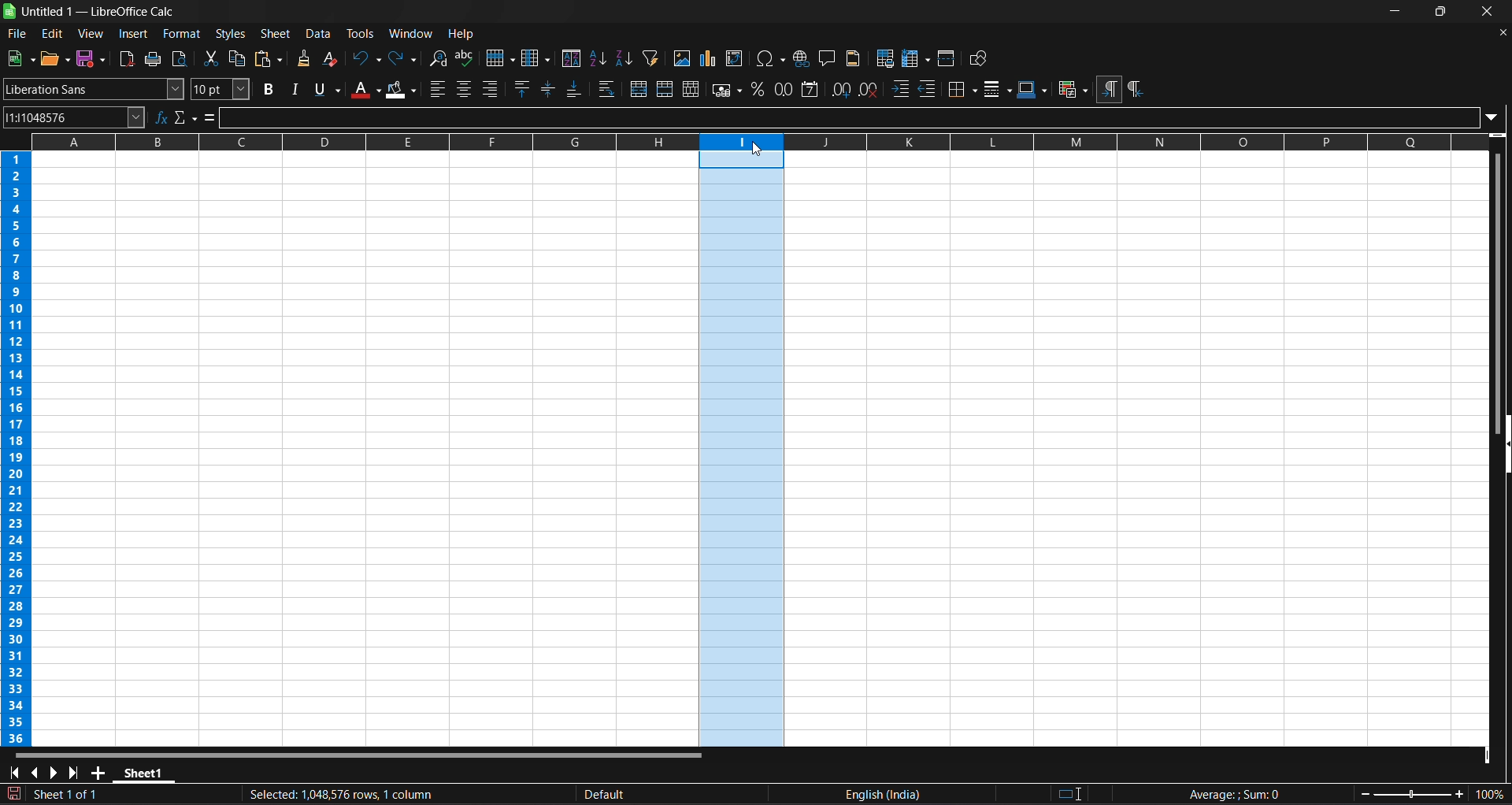 Image resolution: width=1512 pixels, height=805 pixels. What do you see at coordinates (55, 58) in the screenshot?
I see `open` at bounding box center [55, 58].